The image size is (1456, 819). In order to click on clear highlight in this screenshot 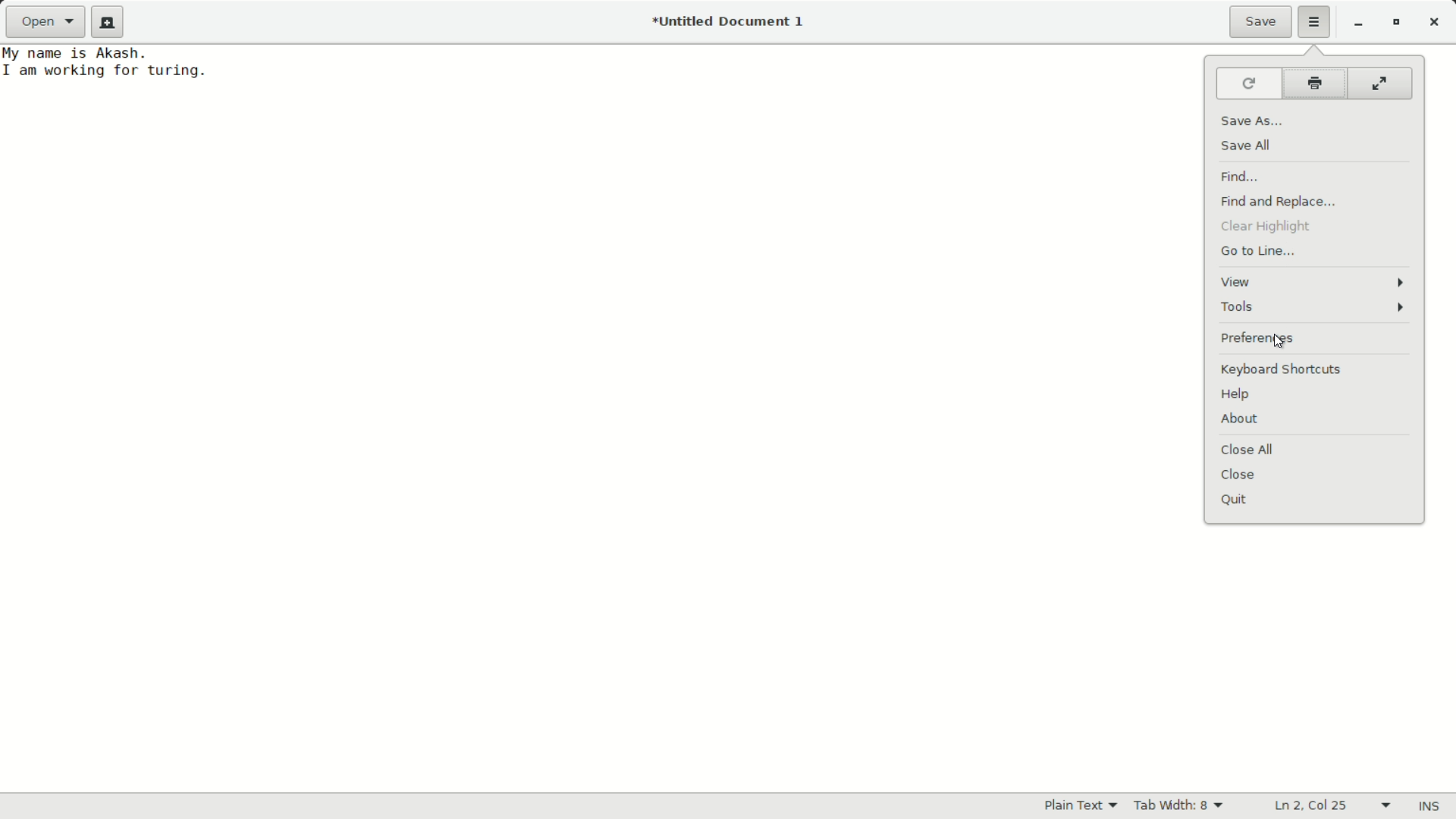, I will do `click(1266, 227)`.